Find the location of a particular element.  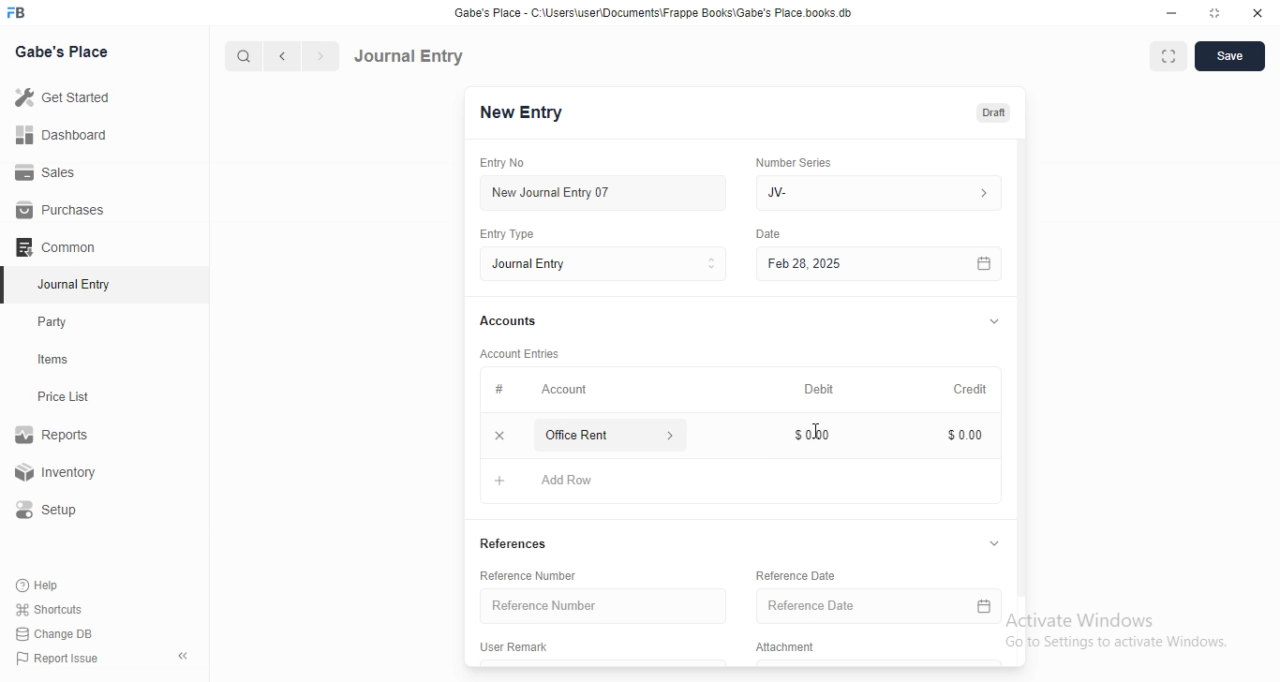

Setup is located at coordinates (54, 510).